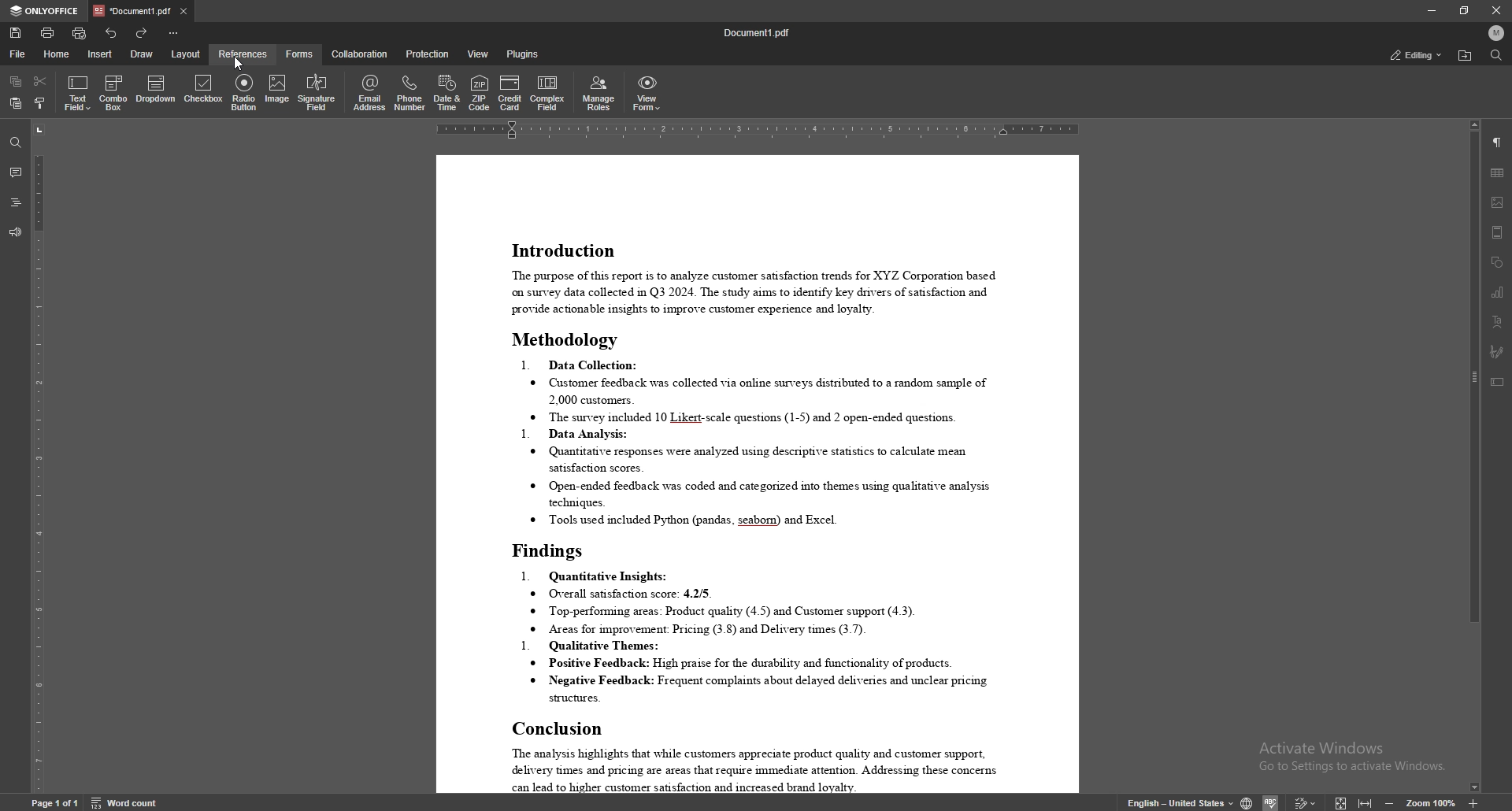  I want to click on document, so click(756, 474).